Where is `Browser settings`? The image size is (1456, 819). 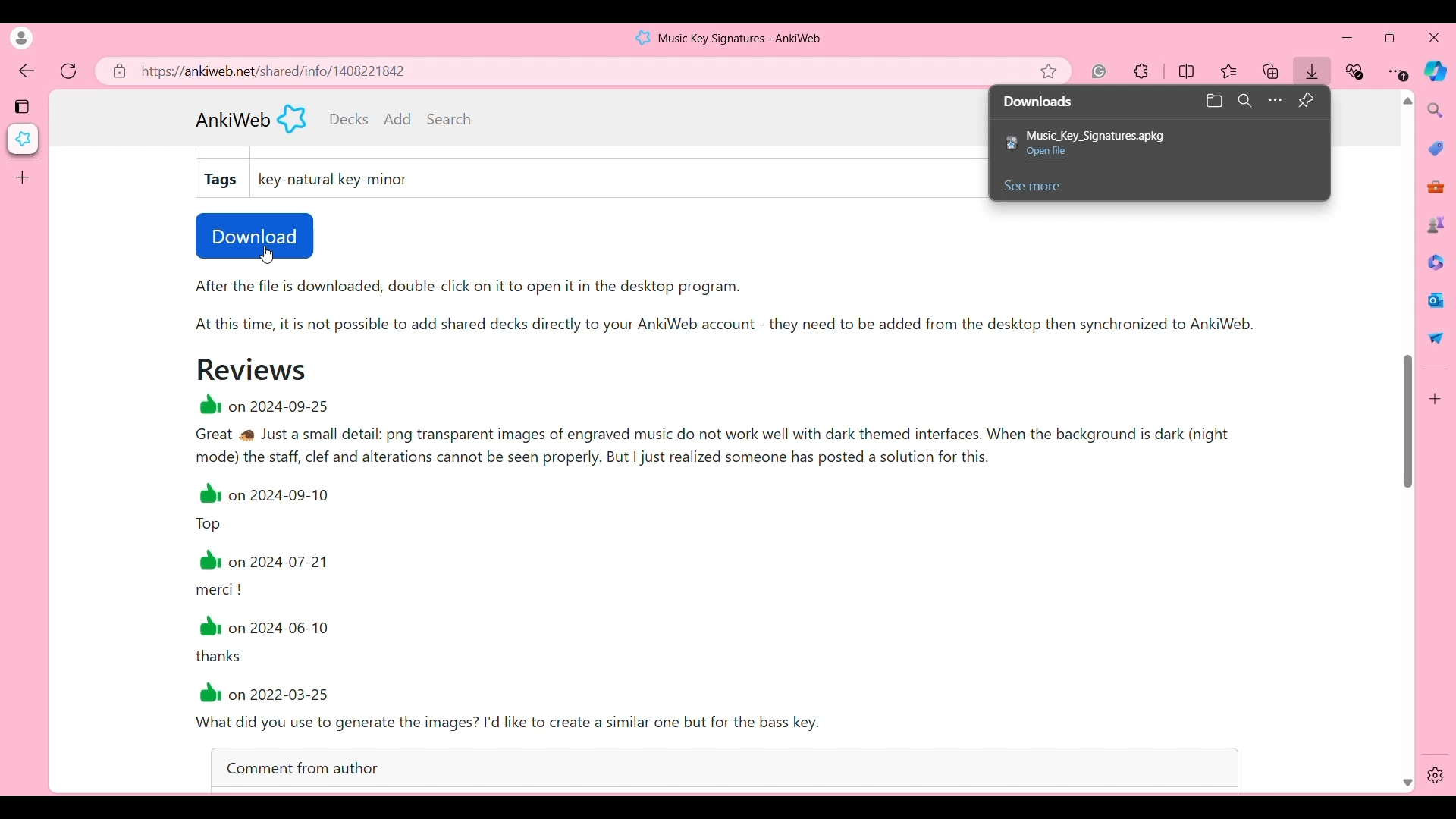
Browser settings is located at coordinates (1398, 71).